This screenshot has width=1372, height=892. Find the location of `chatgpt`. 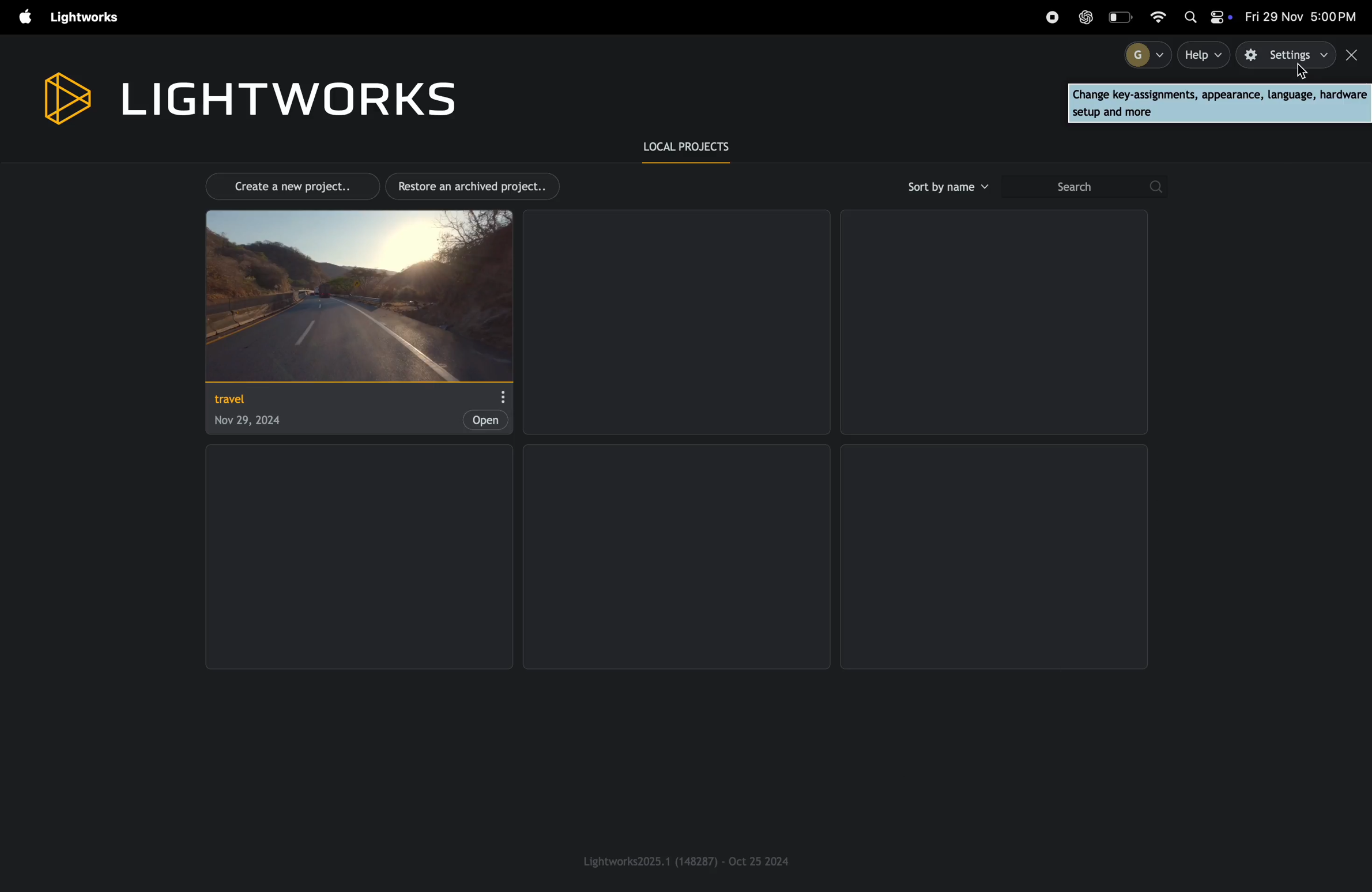

chatgpt is located at coordinates (1086, 17).